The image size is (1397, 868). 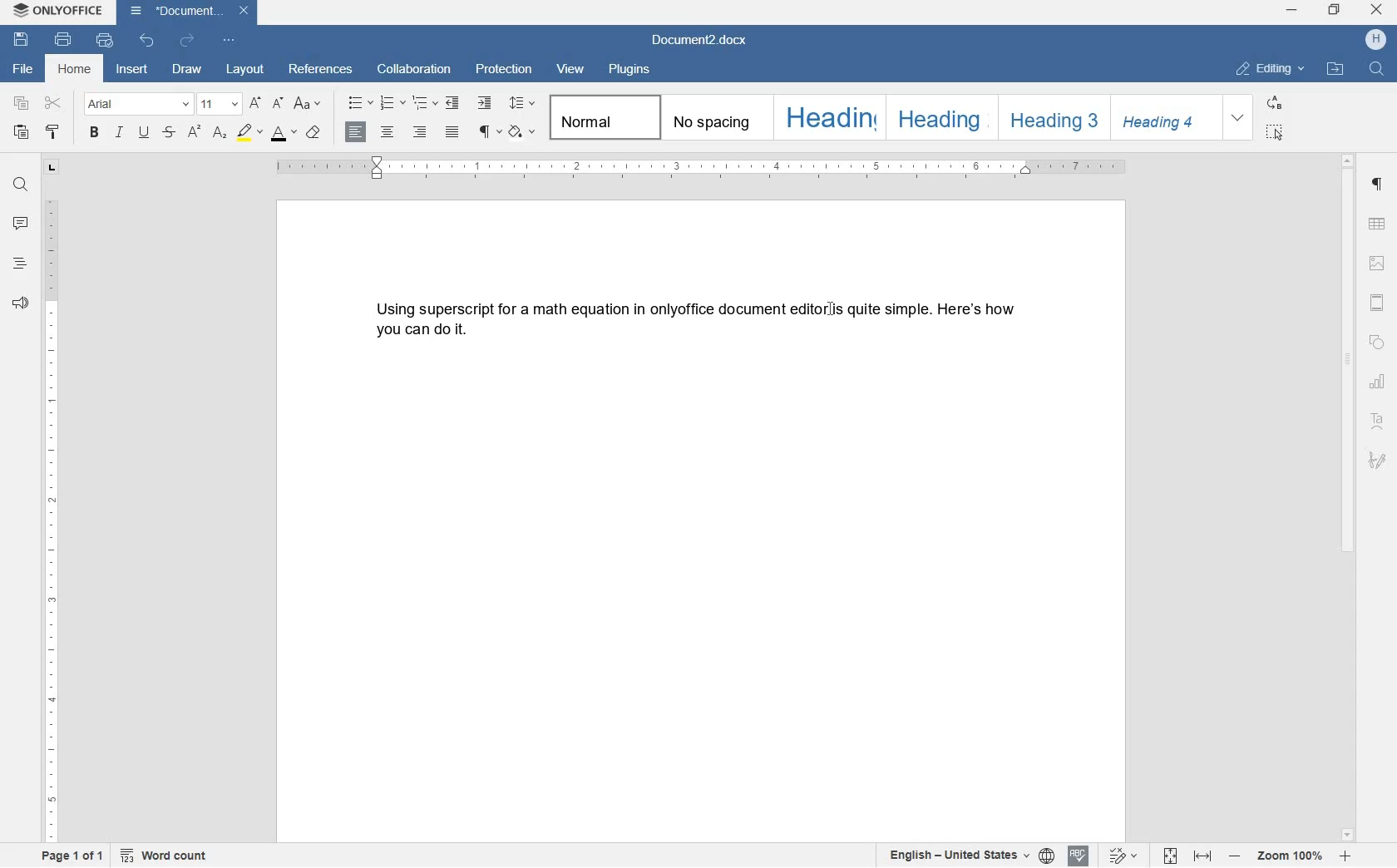 I want to click on set text or document language, so click(x=971, y=856).